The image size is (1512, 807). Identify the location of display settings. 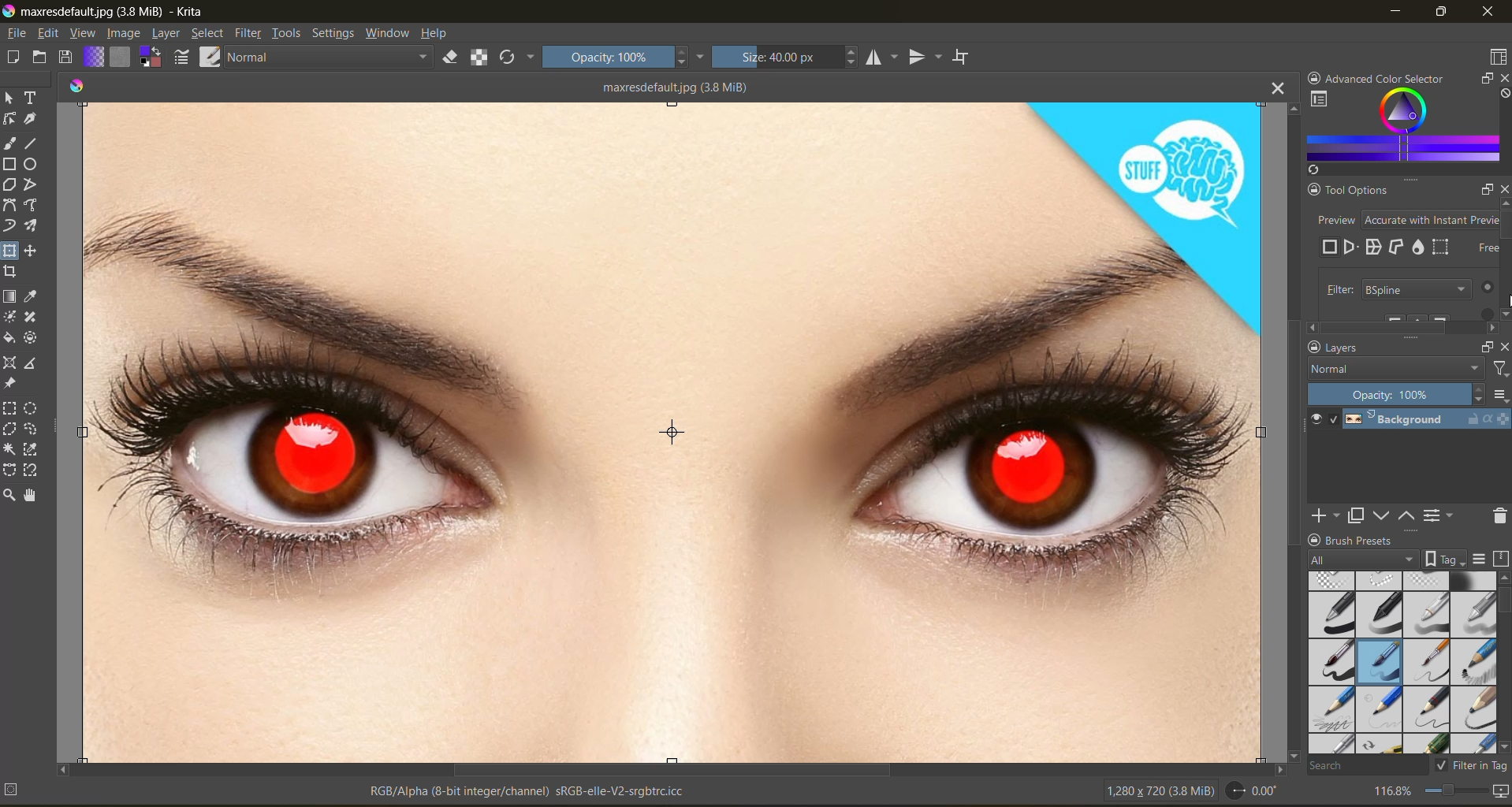
(1484, 558).